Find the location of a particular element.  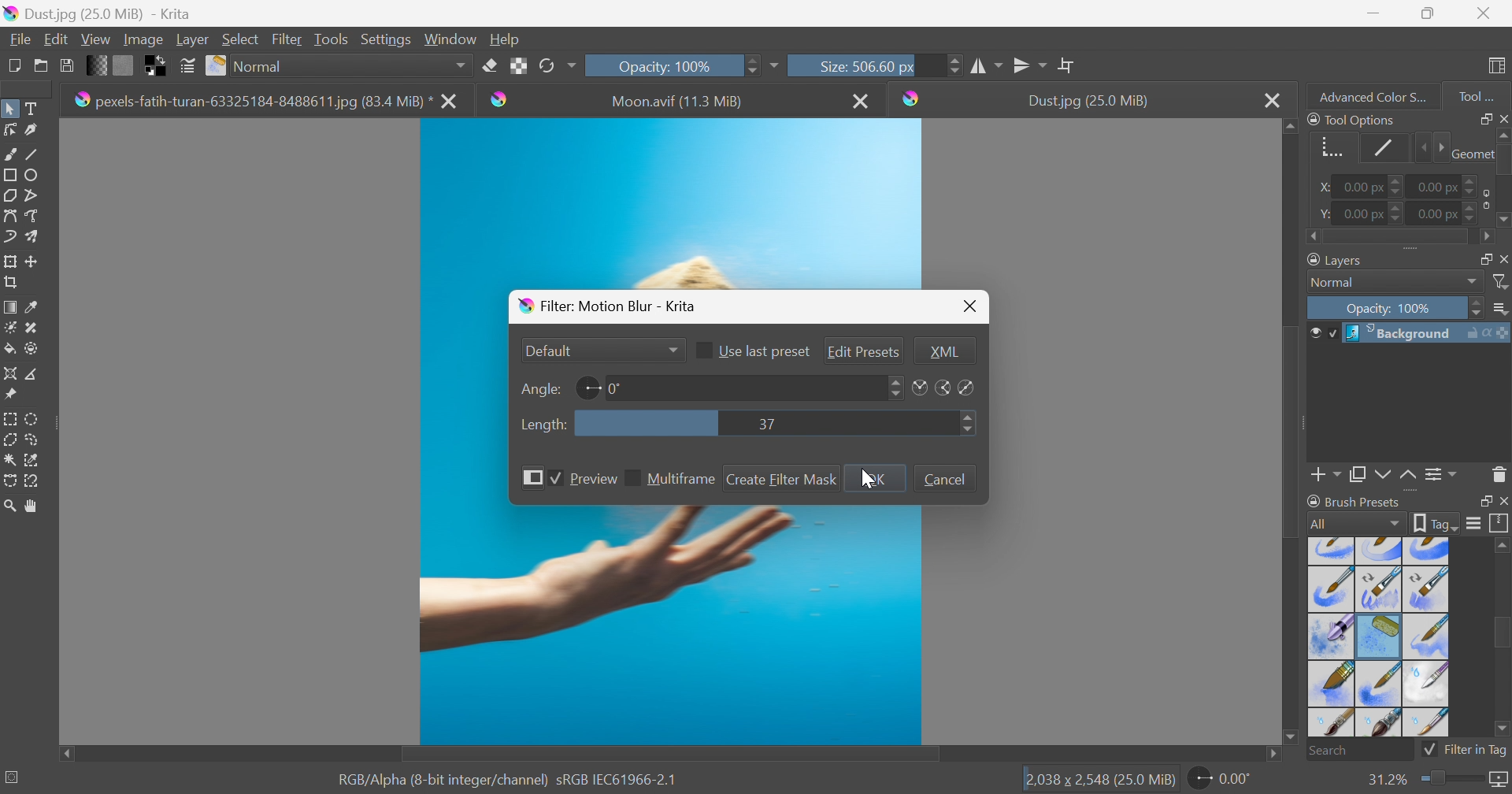

close is located at coordinates (452, 102).